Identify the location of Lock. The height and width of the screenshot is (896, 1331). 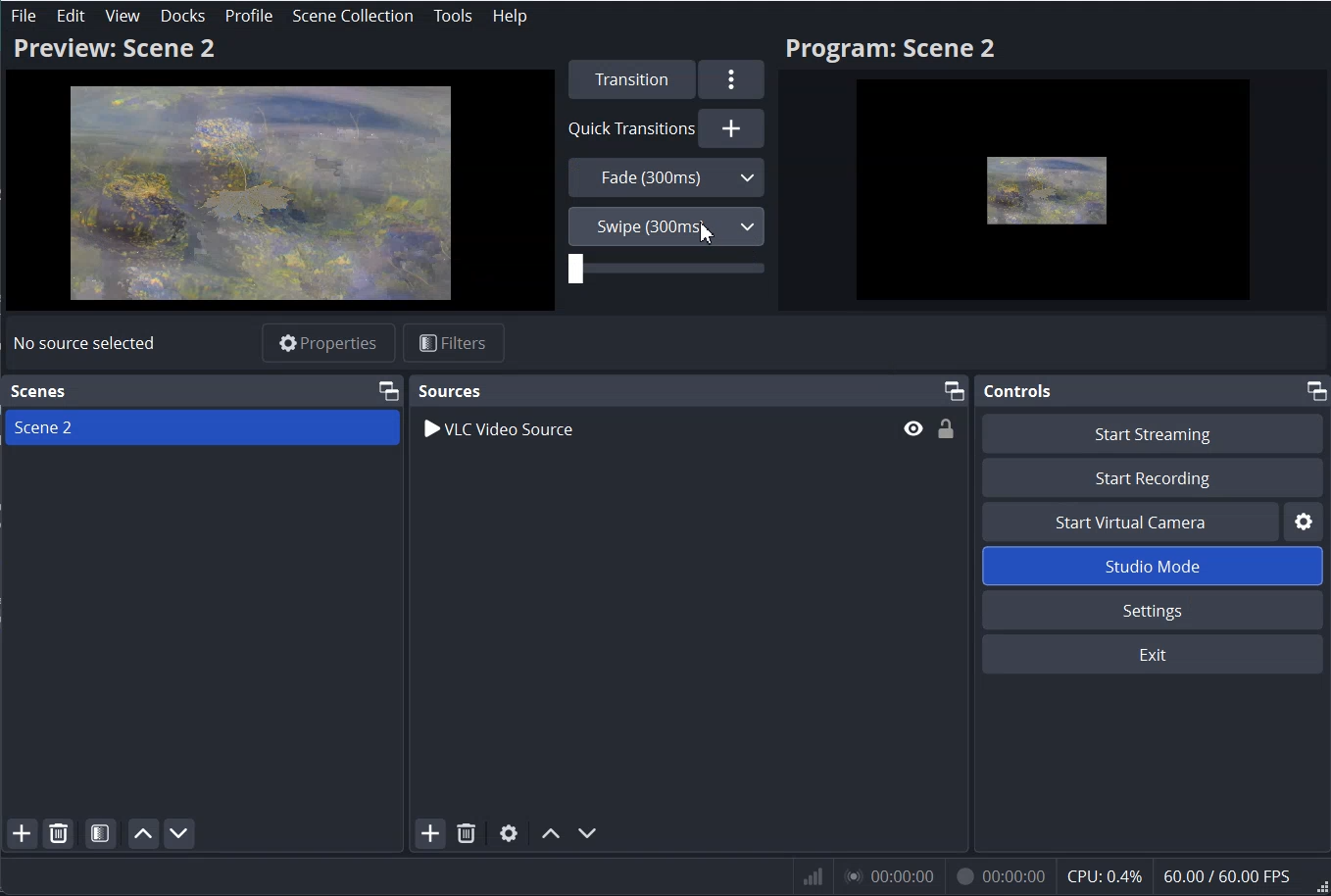
(946, 428).